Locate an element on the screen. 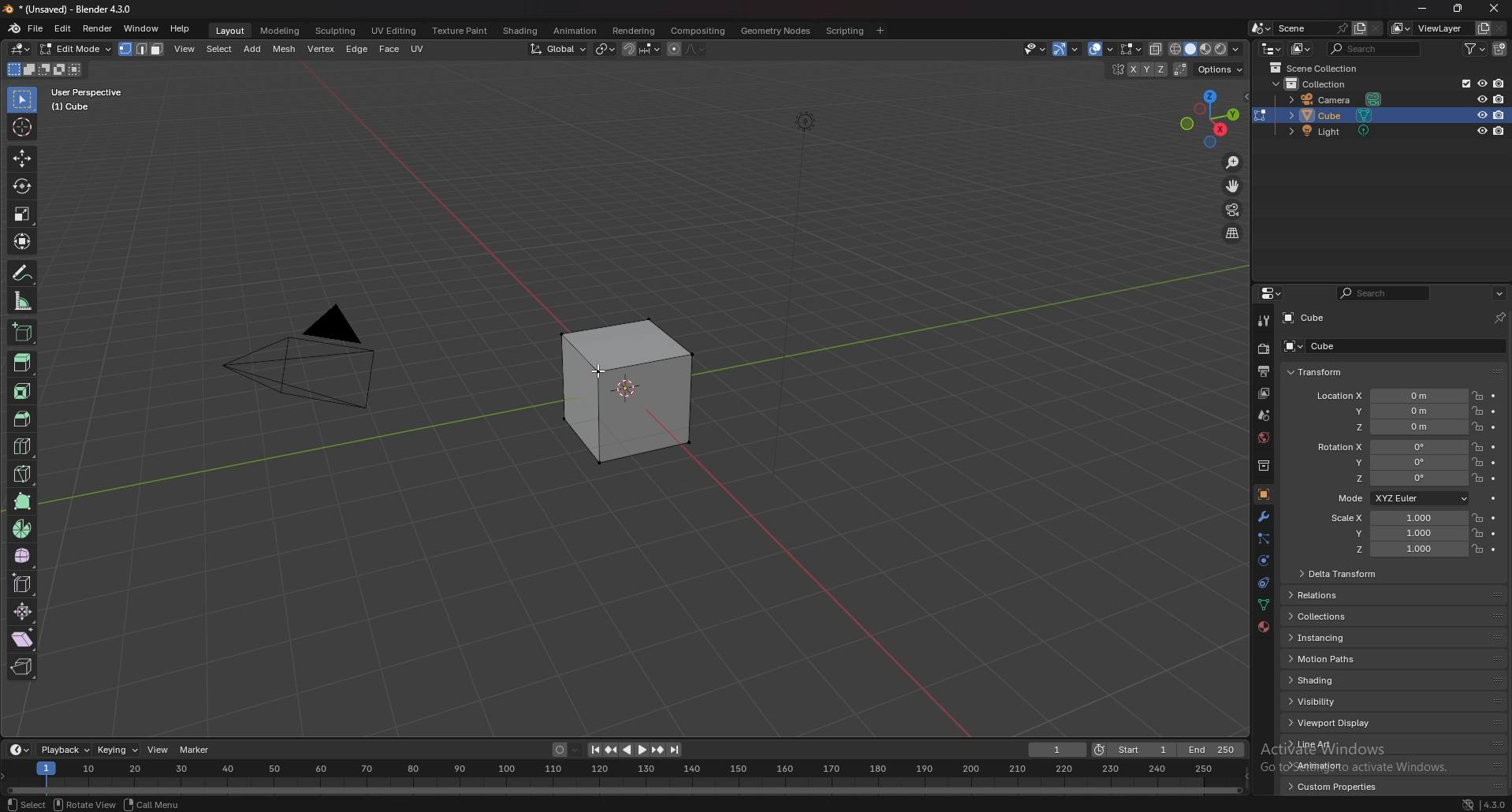 The height and width of the screenshot is (812, 1512). rotation x is located at coordinates (1387, 449).